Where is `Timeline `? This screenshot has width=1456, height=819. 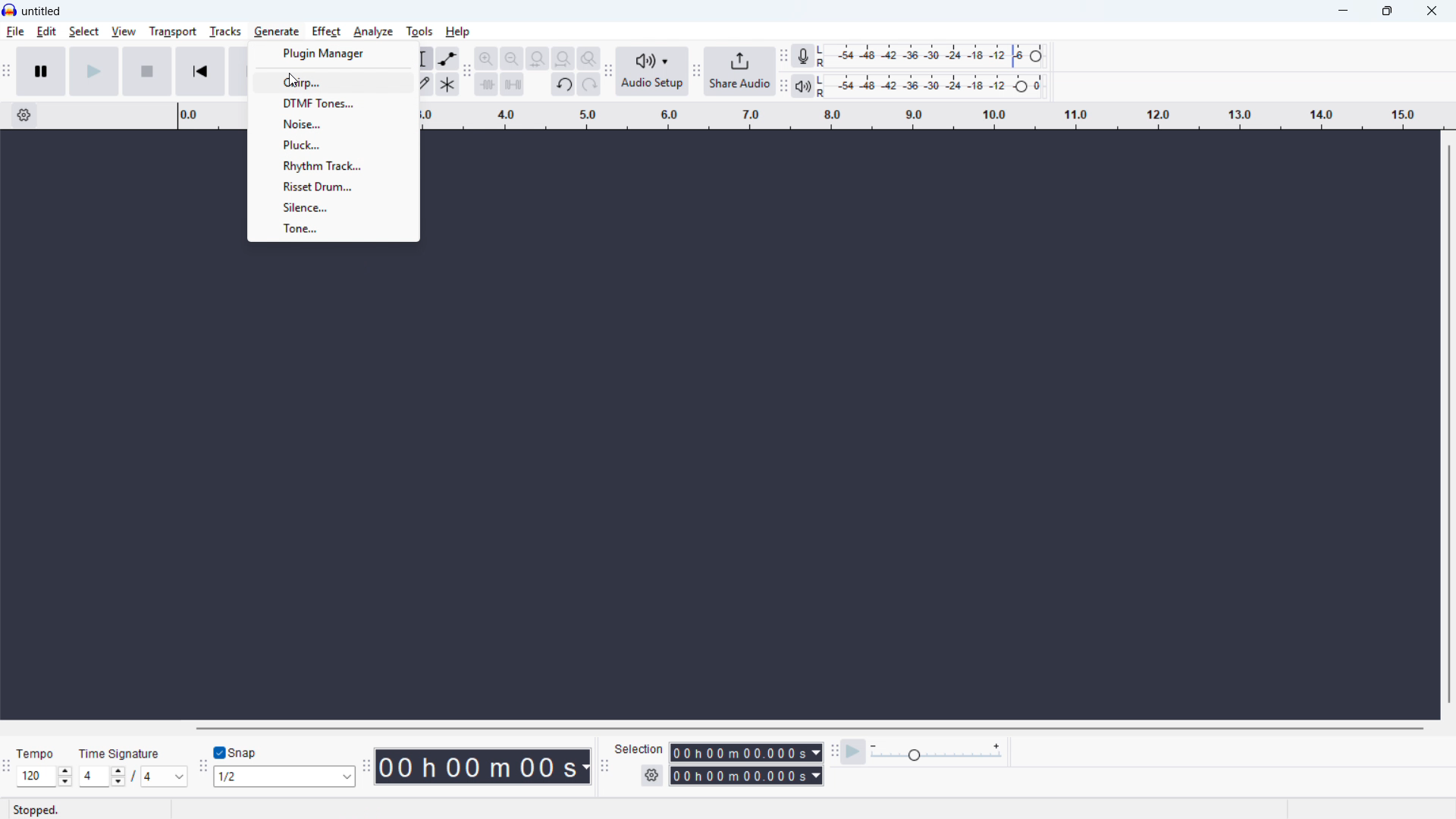 Timeline  is located at coordinates (935, 116).